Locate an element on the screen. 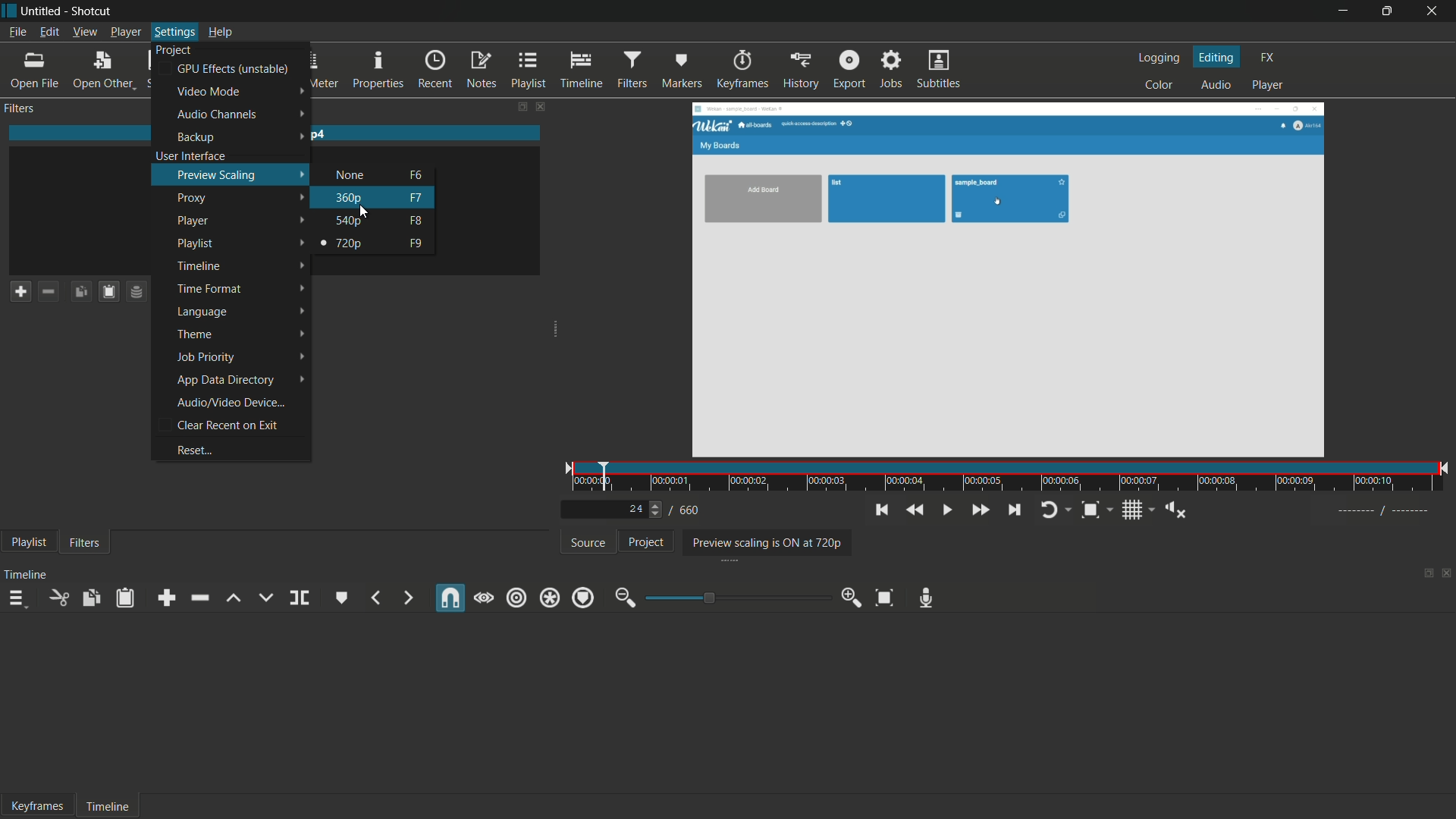 This screenshot has height=819, width=1456. preview scaling is located at coordinates (218, 174).